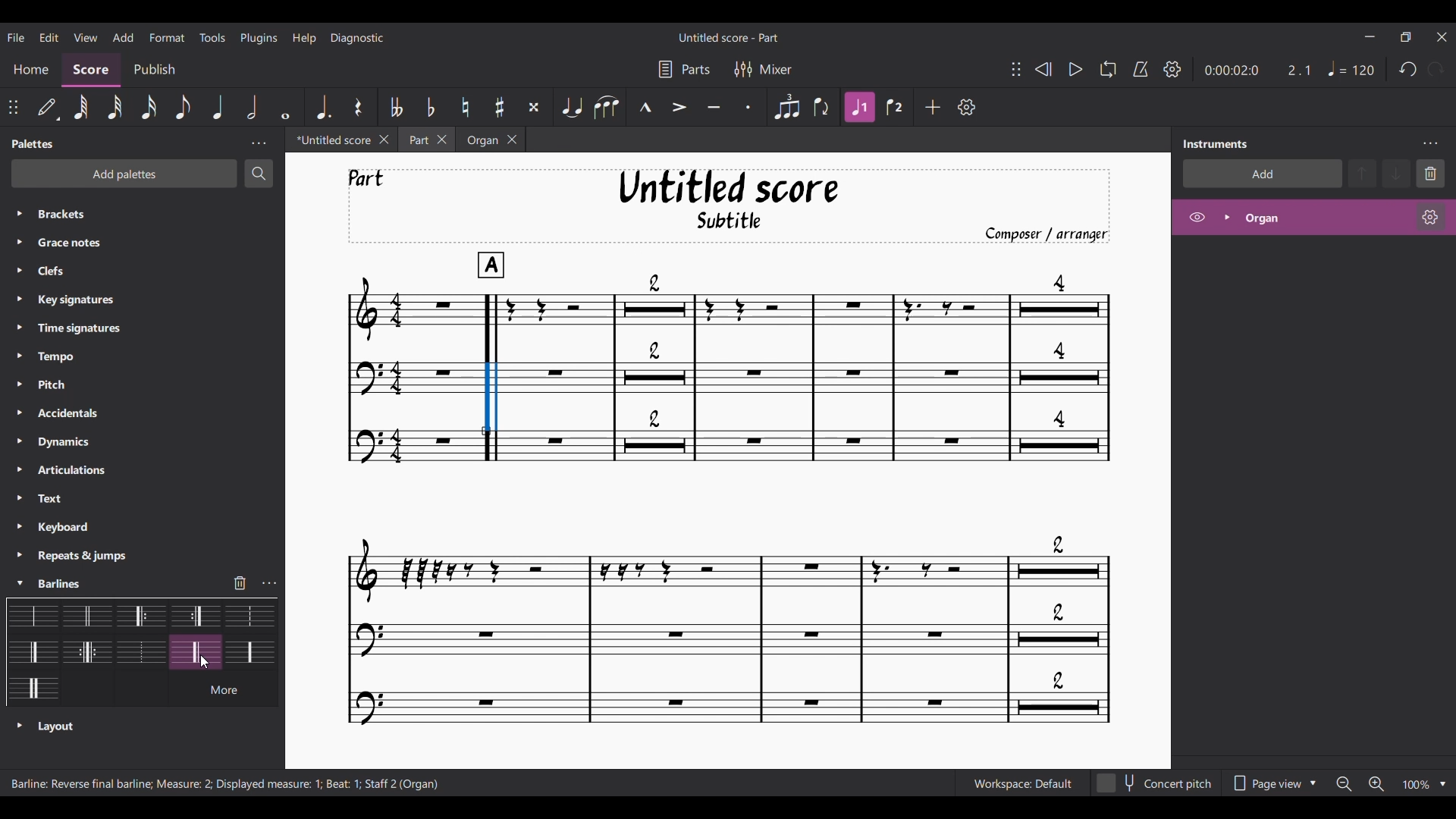  I want to click on Click to change position of toolbar attached, so click(12, 107).